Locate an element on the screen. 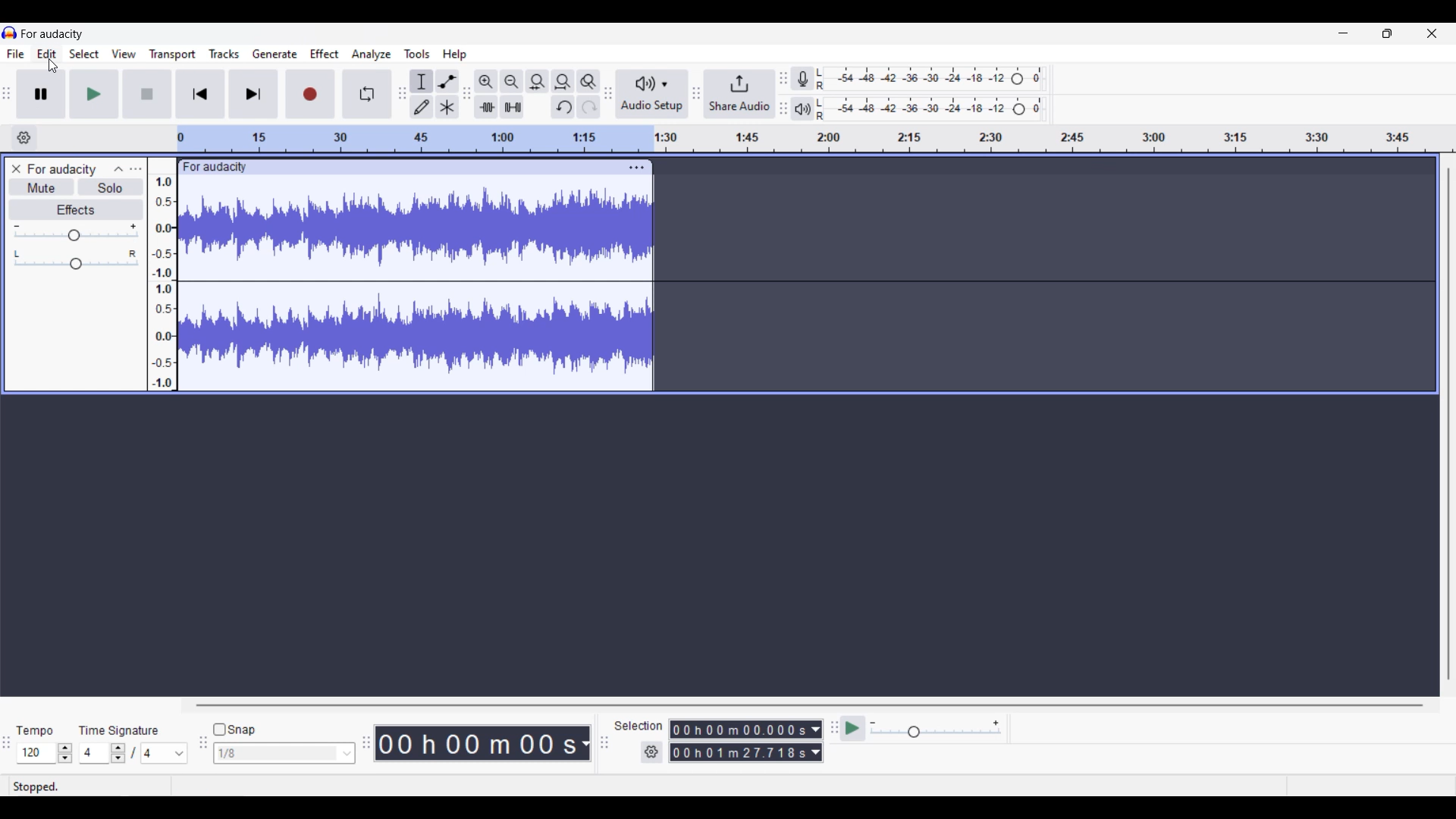 The image size is (1456, 819). Tracks menu is located at coordinates (224, 54).